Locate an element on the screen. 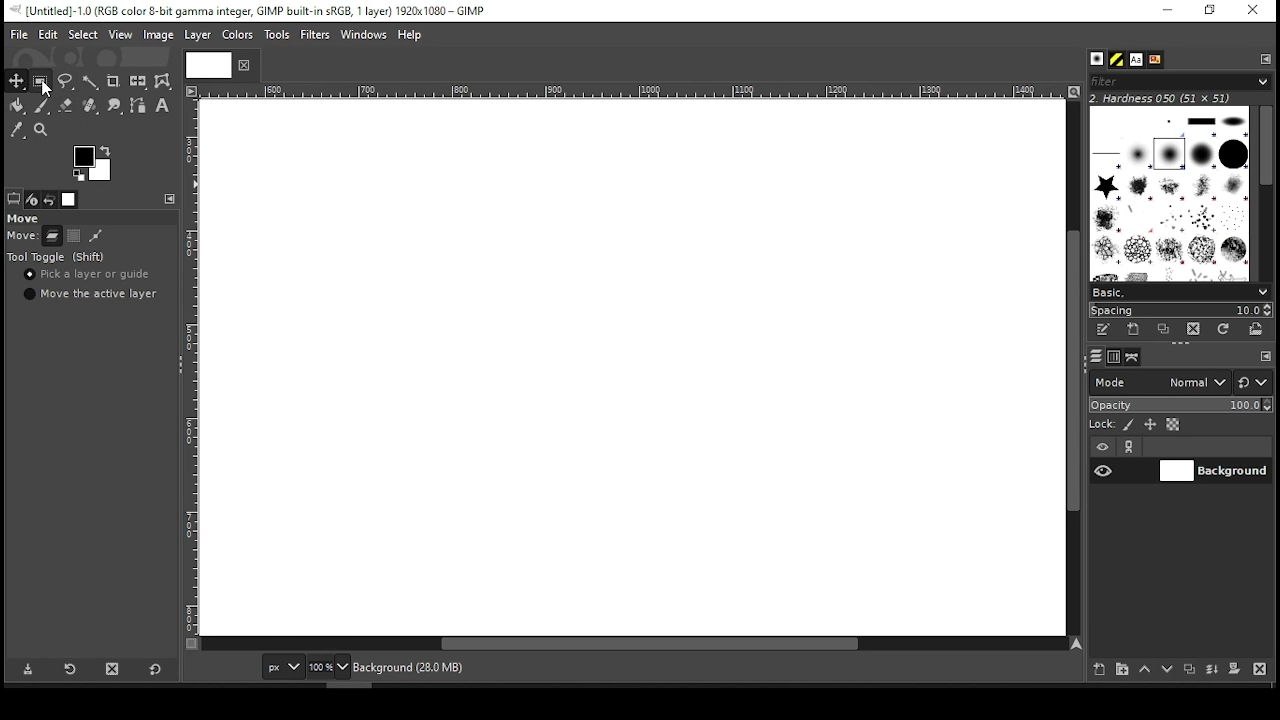 The height and width of the screenshot is (720, 1280). close window is located at coordinates (1252, 11).